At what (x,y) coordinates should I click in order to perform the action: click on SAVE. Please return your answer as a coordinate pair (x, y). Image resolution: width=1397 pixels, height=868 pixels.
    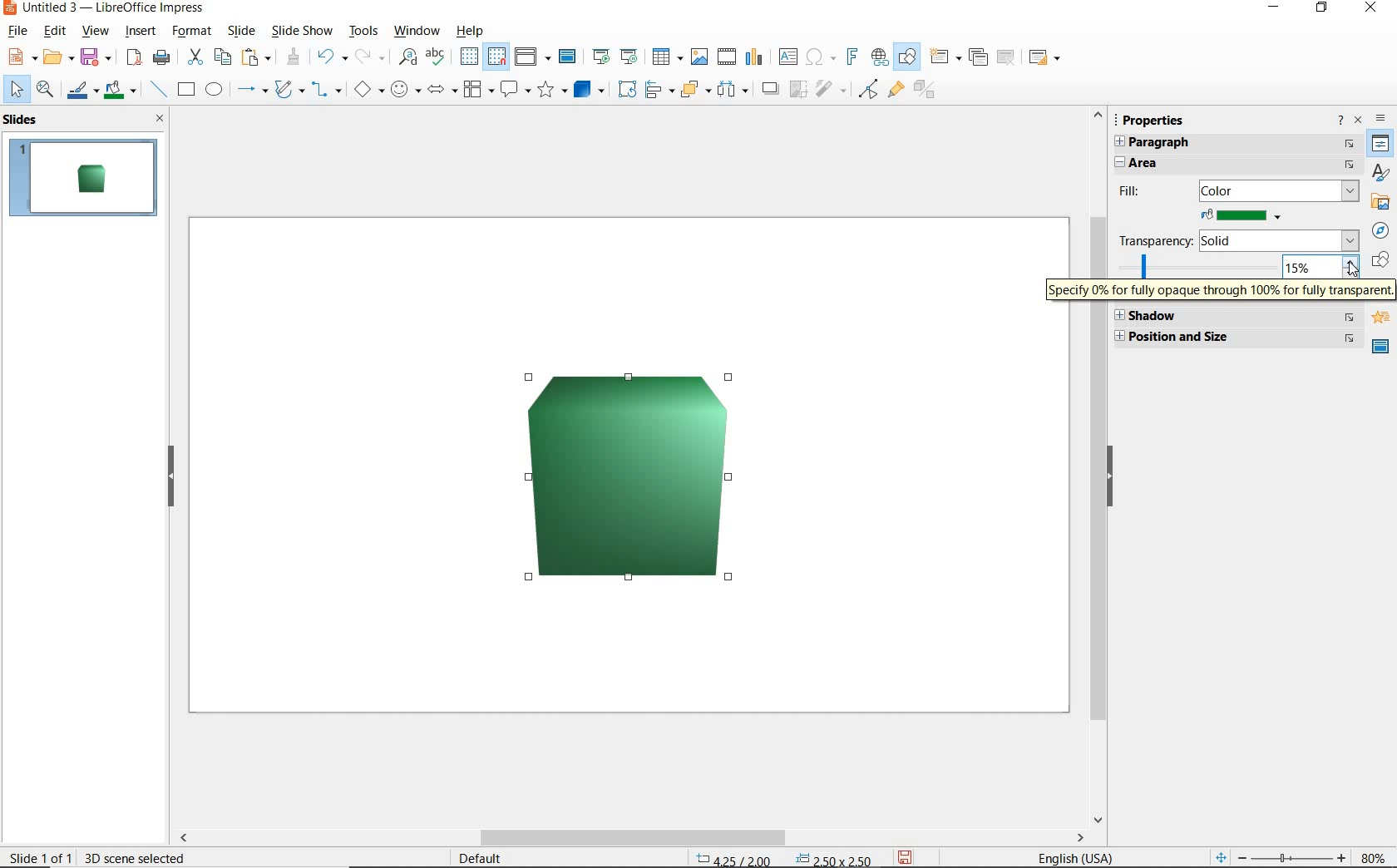
    Looking at the image, I should click on (910, 856).